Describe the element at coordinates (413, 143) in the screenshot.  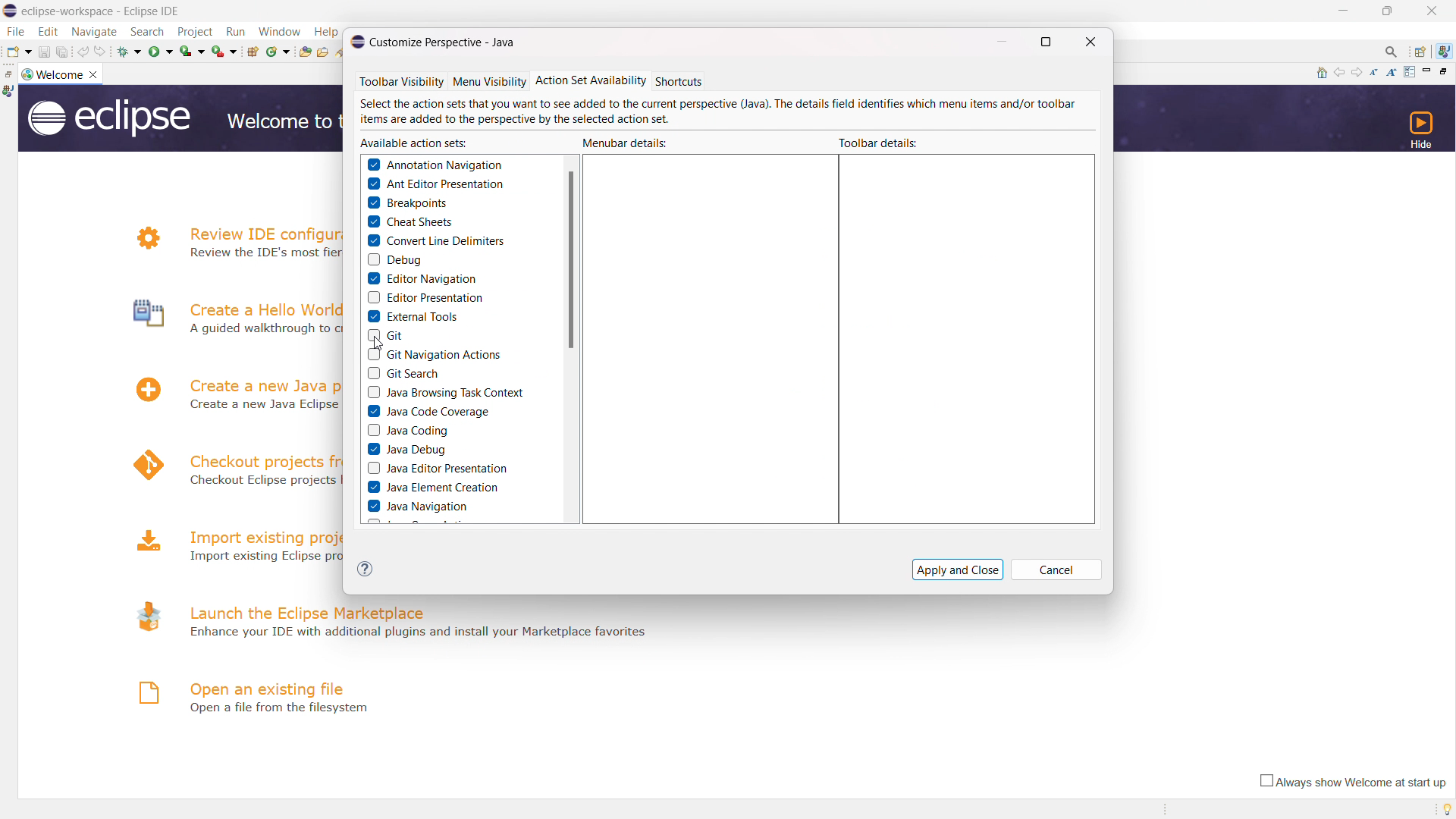
I see `available action sets` at that location.